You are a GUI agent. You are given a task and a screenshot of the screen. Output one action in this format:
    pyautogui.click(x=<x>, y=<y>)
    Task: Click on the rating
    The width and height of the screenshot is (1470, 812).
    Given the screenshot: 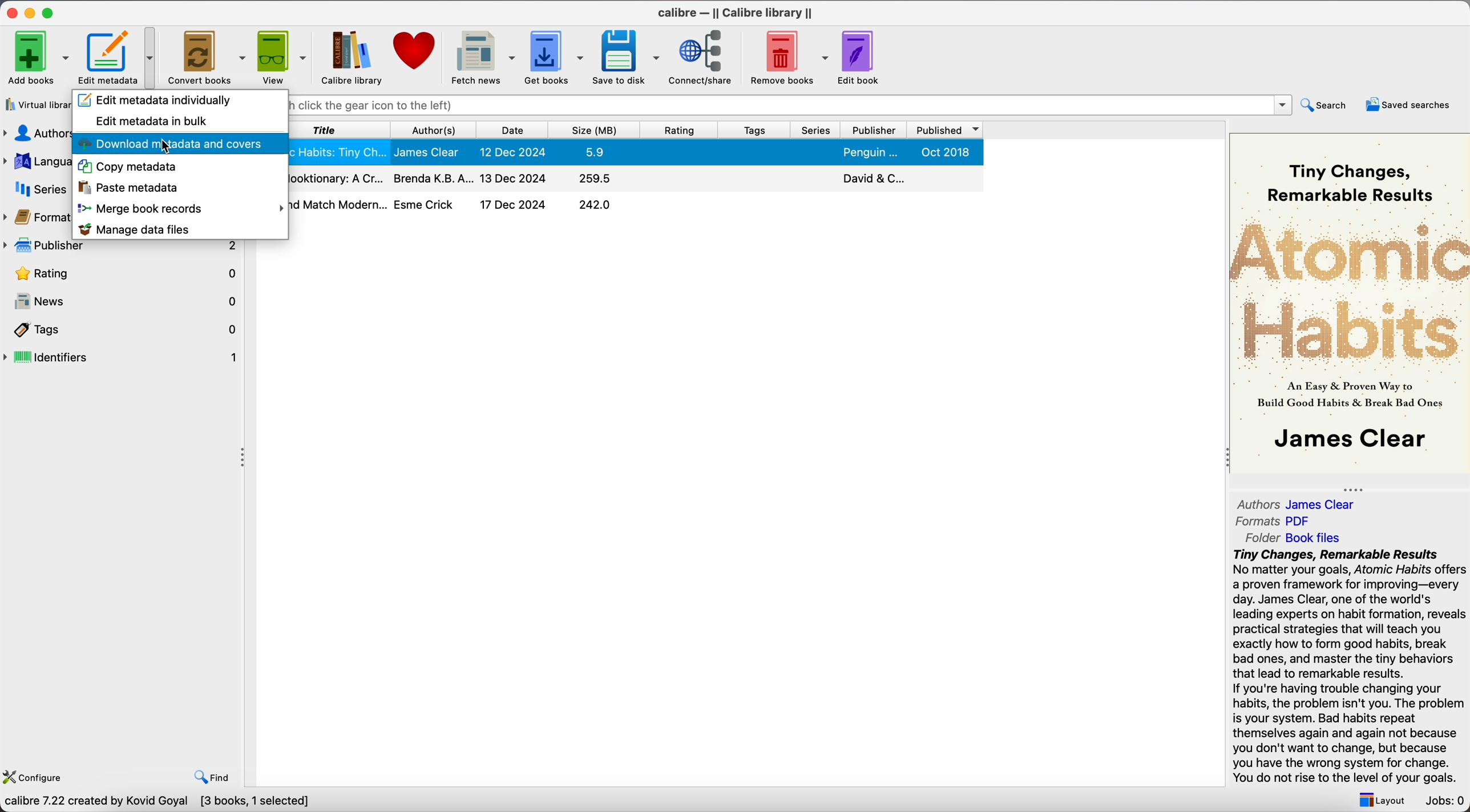 What is the action you would take?
    pyautogui.click(x=680, y=130)
    